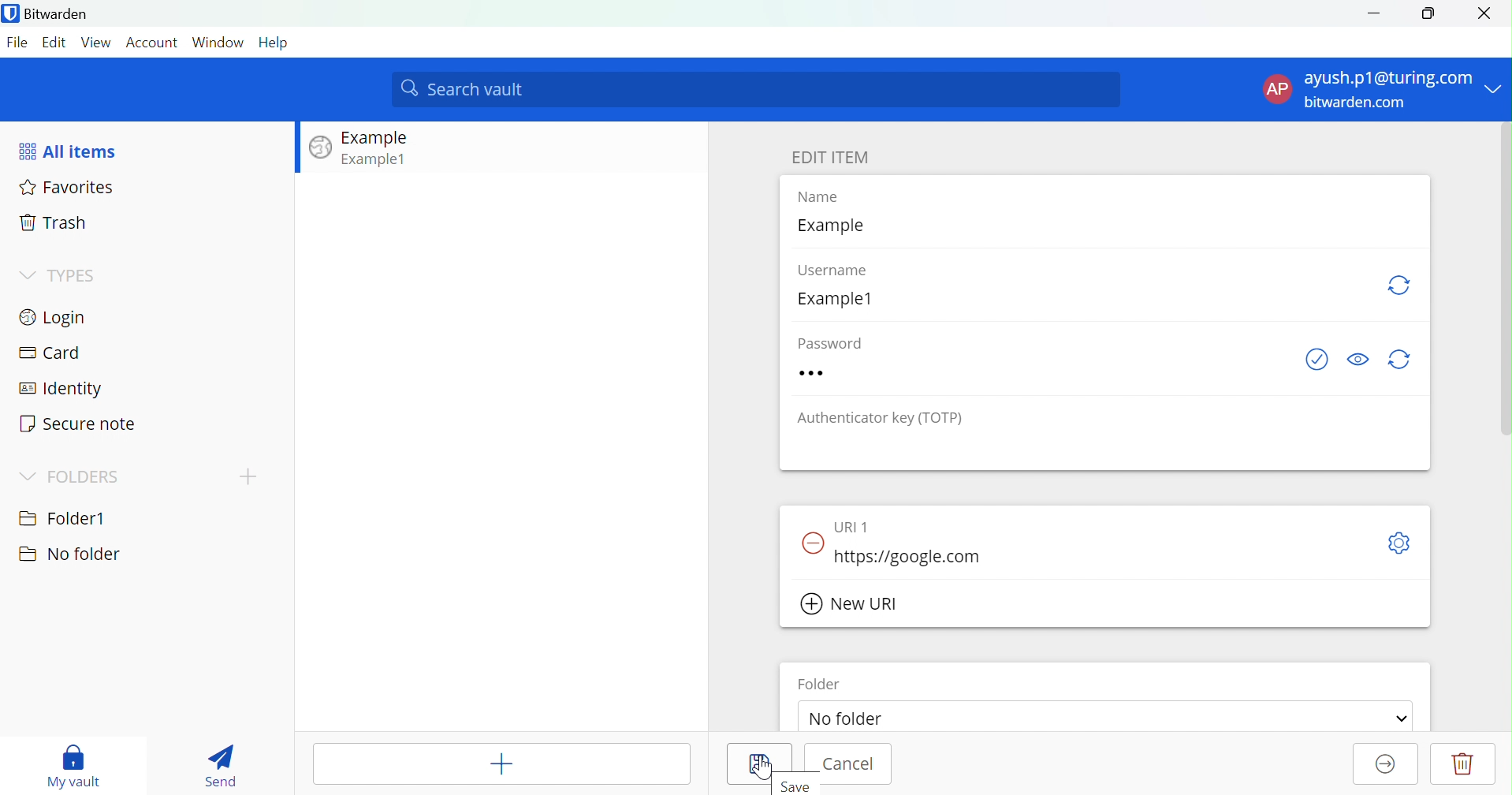 This screenshot has width=1512, height=795. Describe the element at coordinates (829, 198) in the screenshot. I see `Name` at that location.